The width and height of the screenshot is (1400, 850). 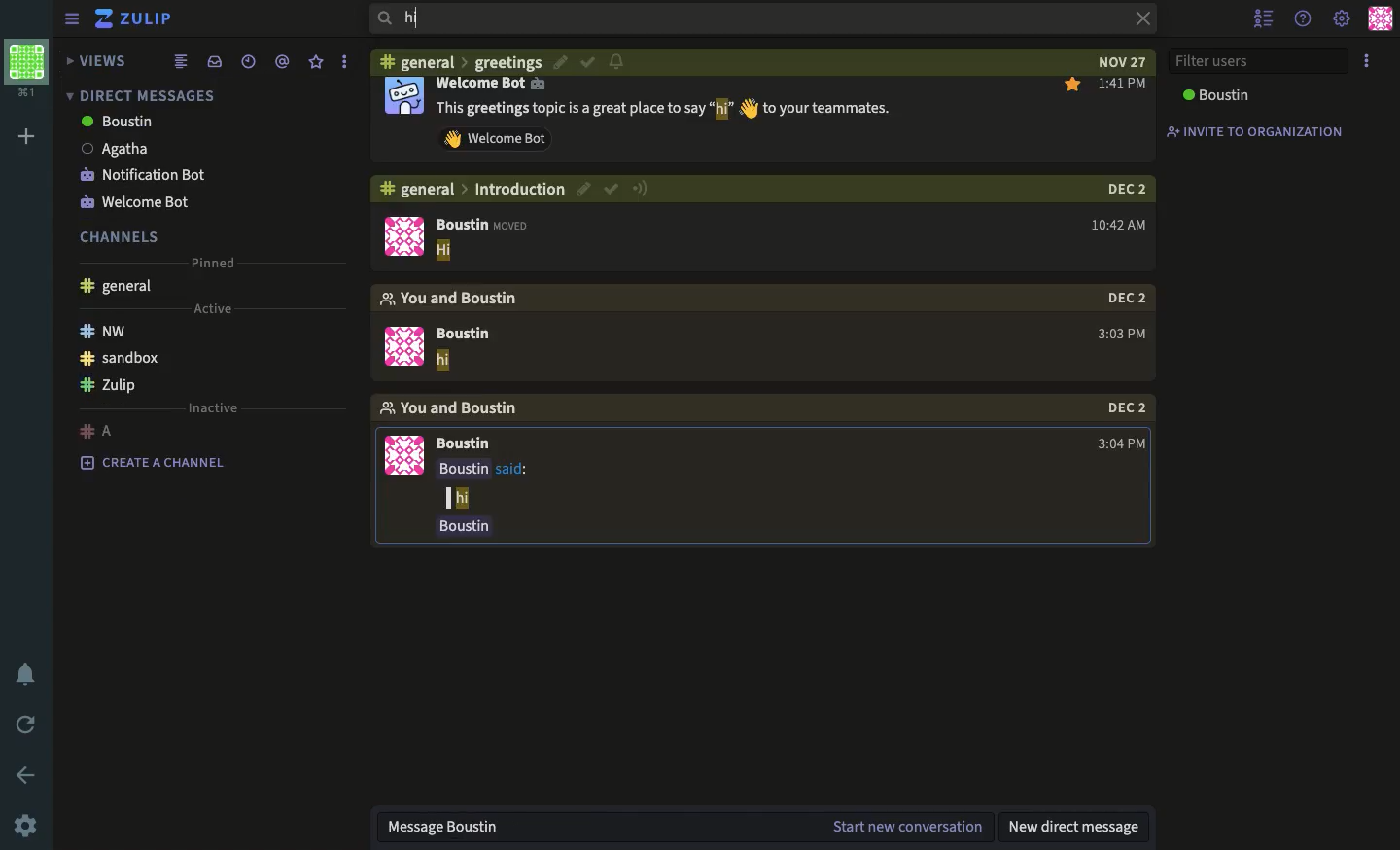 I want to click on user profile, so click(x=1382, y=20).